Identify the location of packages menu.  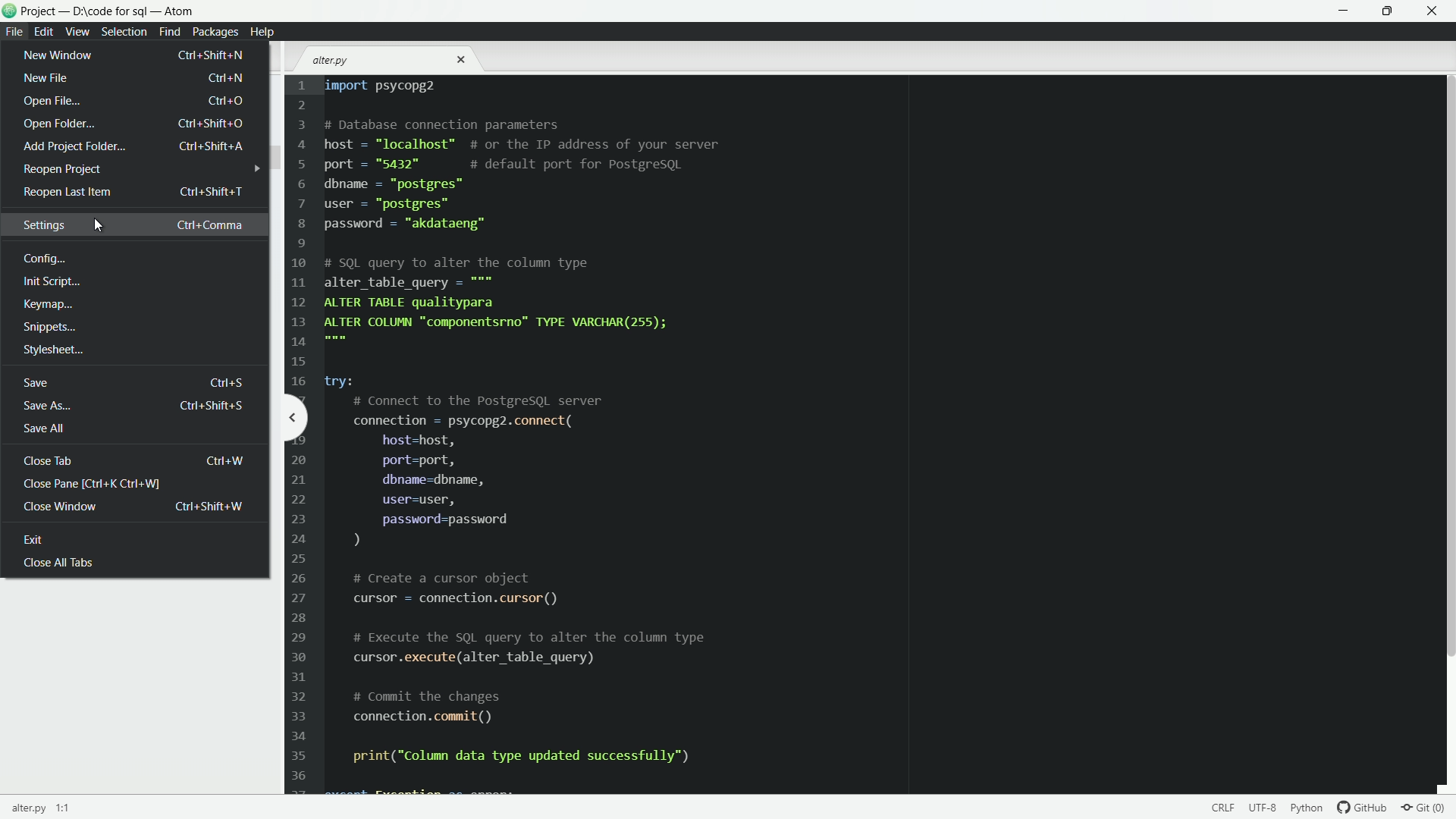
(217, 33).